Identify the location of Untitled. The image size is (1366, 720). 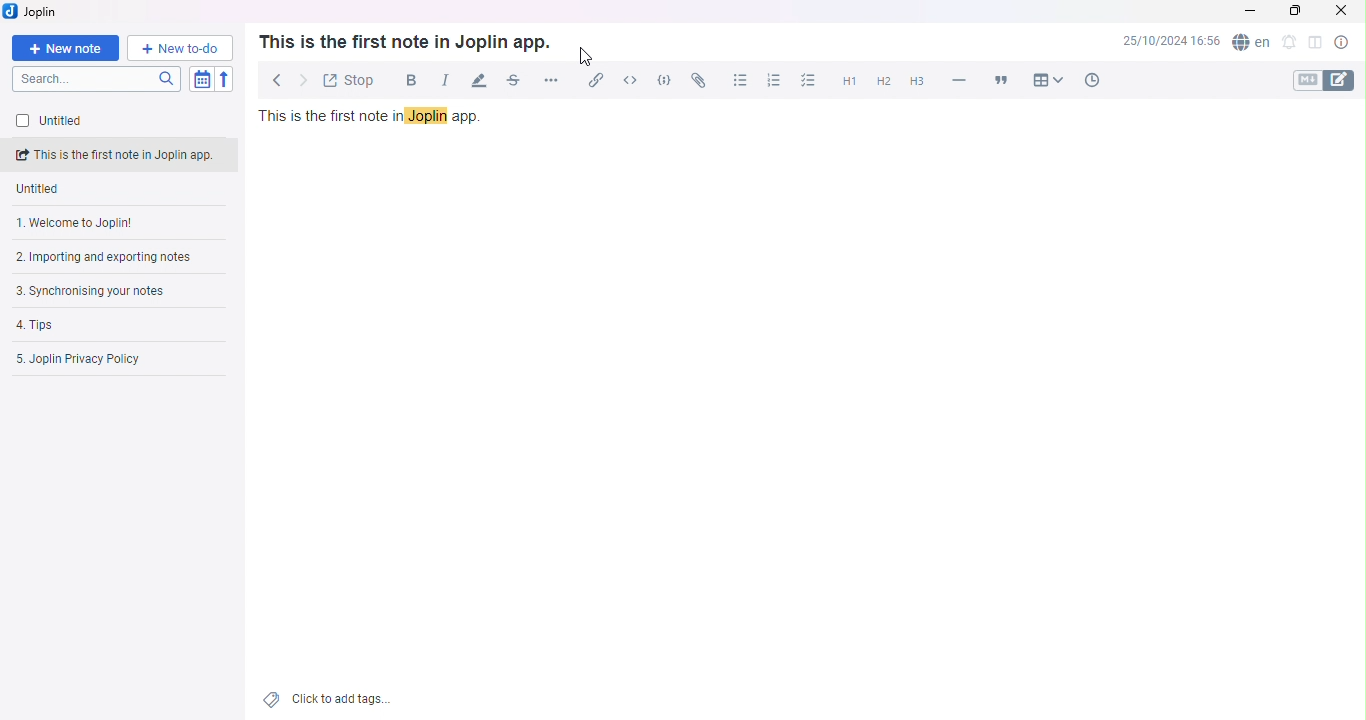
(46, 156).